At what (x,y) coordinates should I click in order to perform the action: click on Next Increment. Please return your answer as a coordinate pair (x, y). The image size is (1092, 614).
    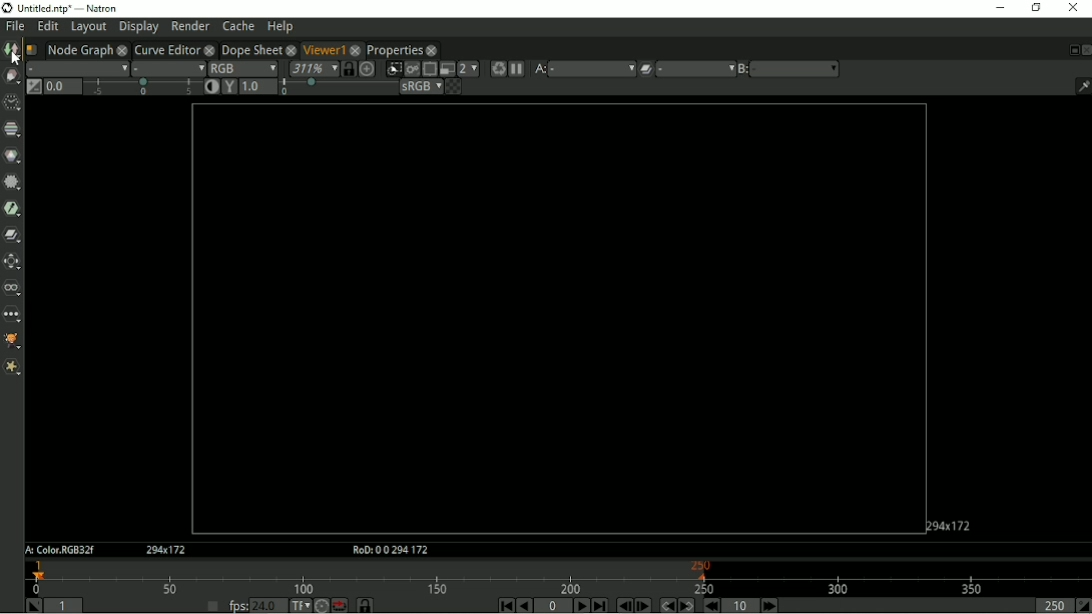
    Looking at the image, I should click on (769, 605).